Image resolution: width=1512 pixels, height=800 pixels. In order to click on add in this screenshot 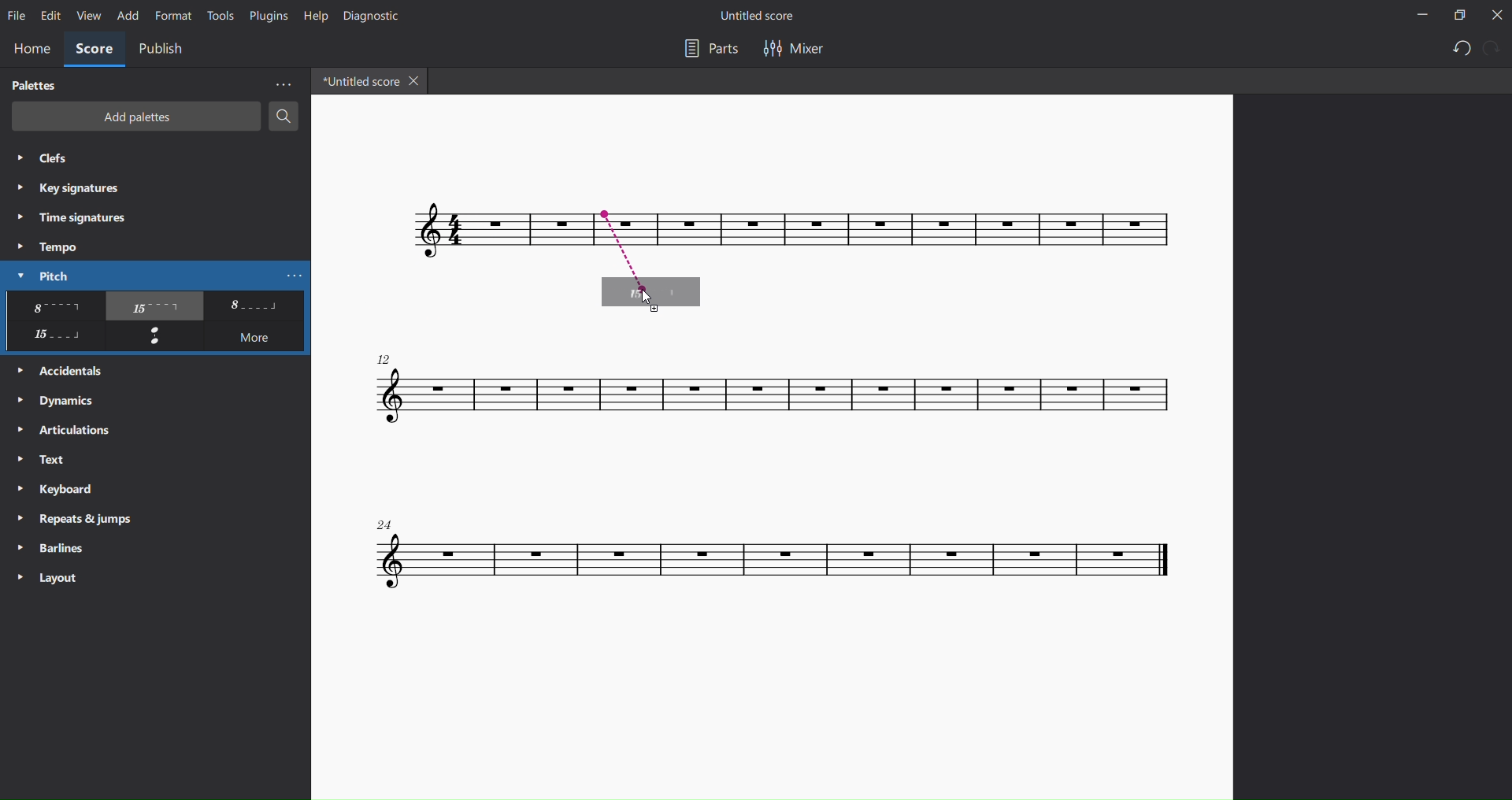, I will do `click(124, 15)`.